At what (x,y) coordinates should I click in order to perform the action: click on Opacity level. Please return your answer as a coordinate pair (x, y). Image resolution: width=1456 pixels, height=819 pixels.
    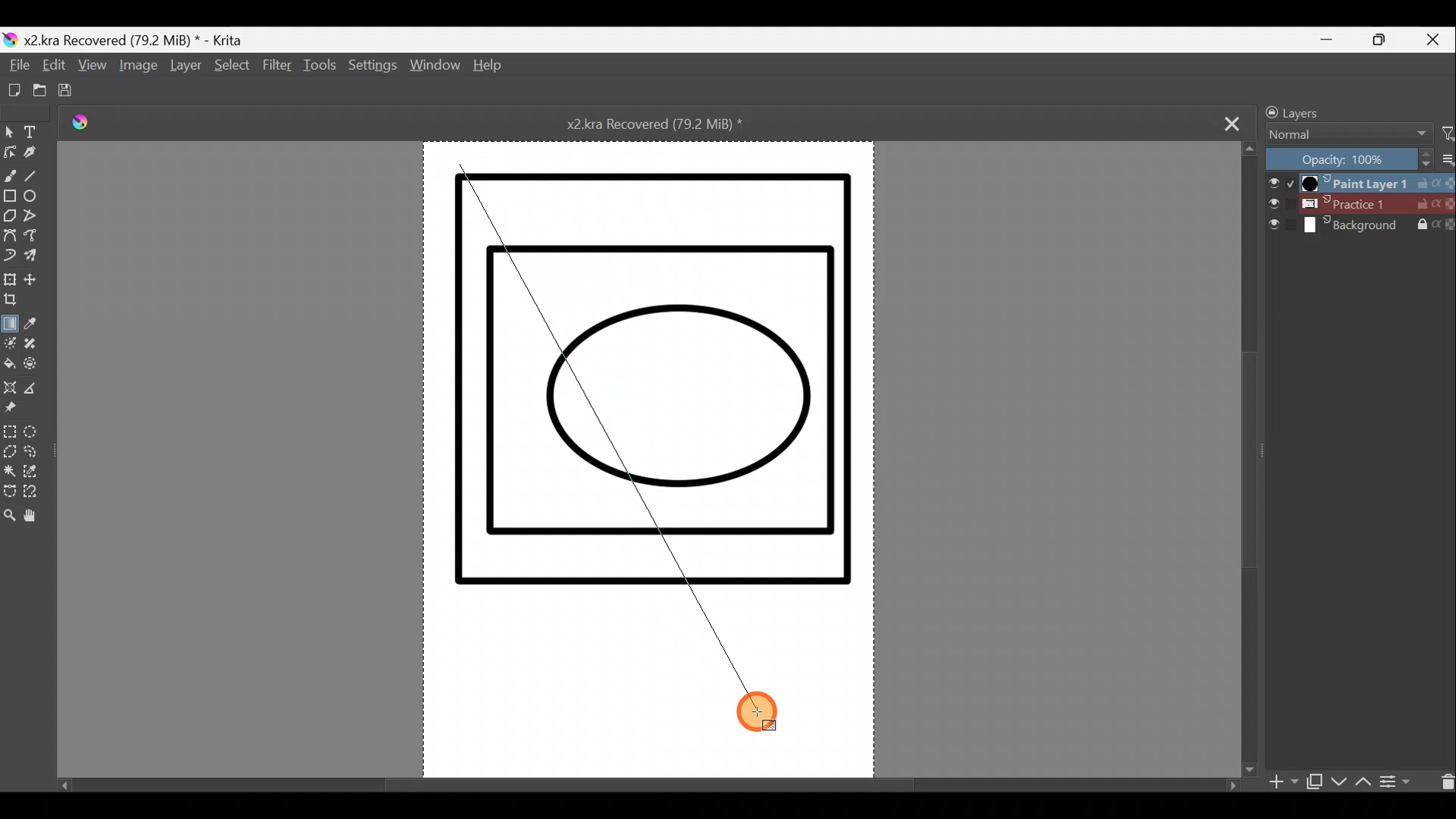
    Looking at the image, I should click on (1359, 158).